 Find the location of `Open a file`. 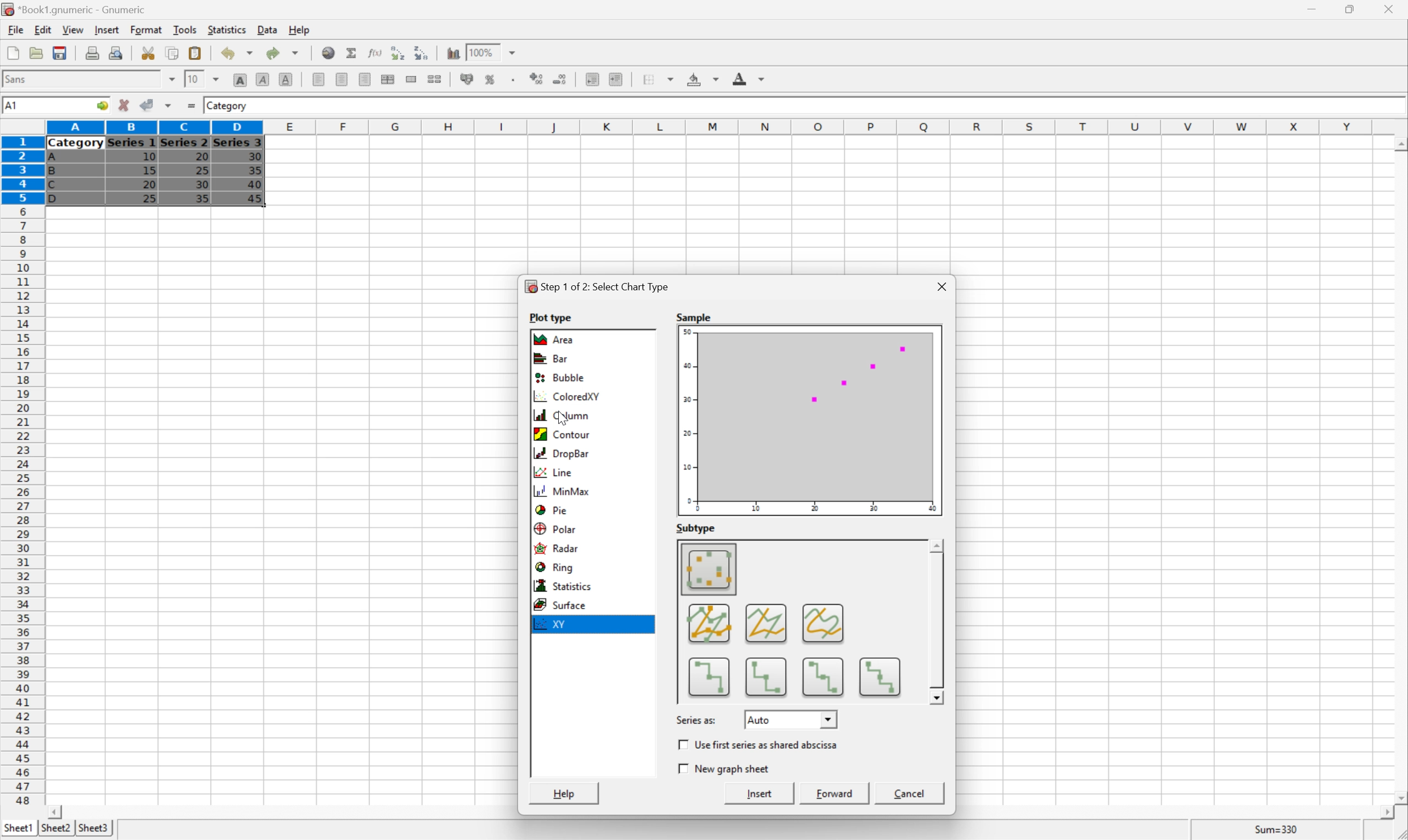

Open a file is located at coordinates (35, 53).